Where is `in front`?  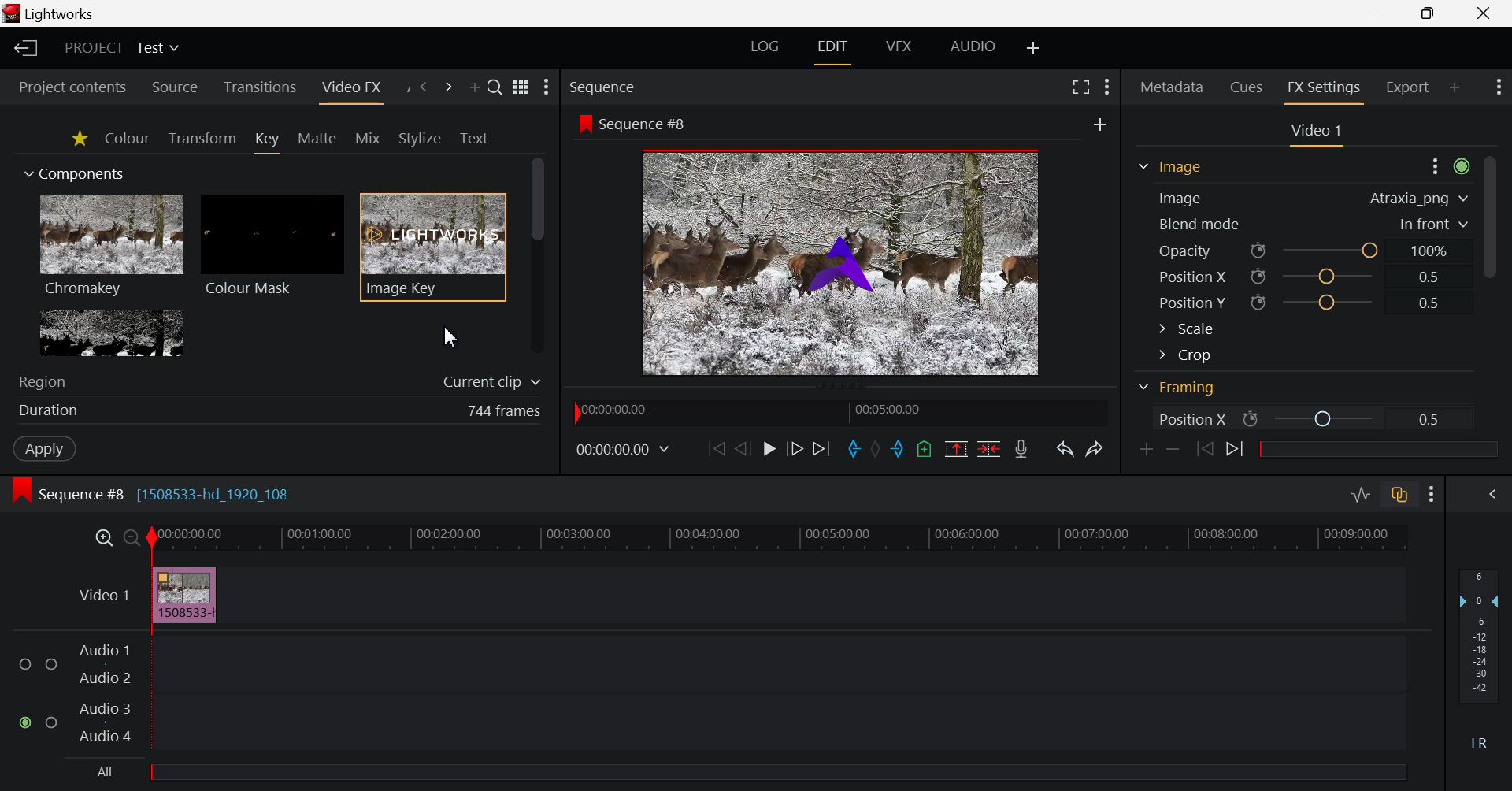 in front is located at coordinates (1434, 223).